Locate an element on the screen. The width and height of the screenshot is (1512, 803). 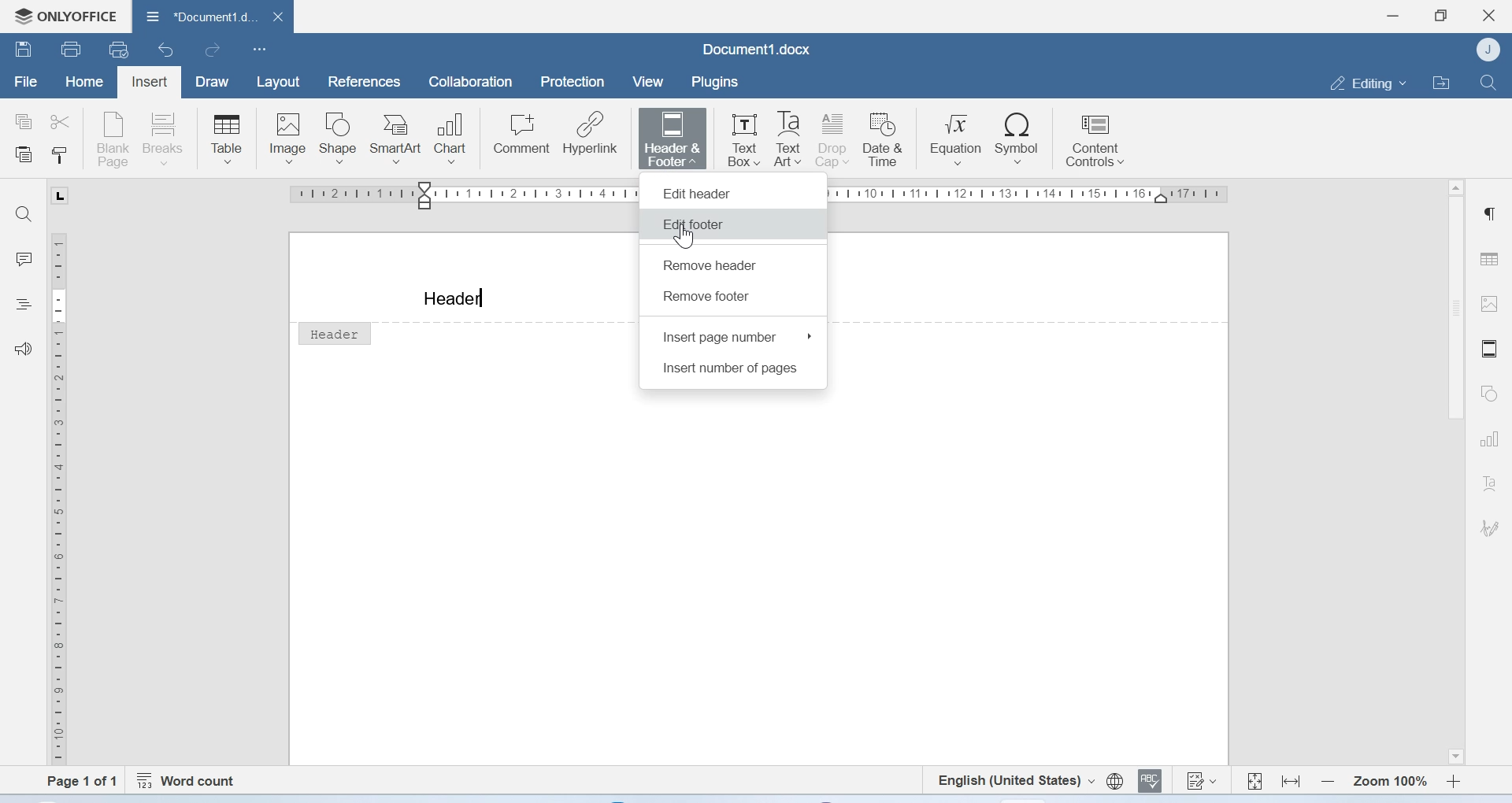
Collaboration is located at coordinates (471, 83).